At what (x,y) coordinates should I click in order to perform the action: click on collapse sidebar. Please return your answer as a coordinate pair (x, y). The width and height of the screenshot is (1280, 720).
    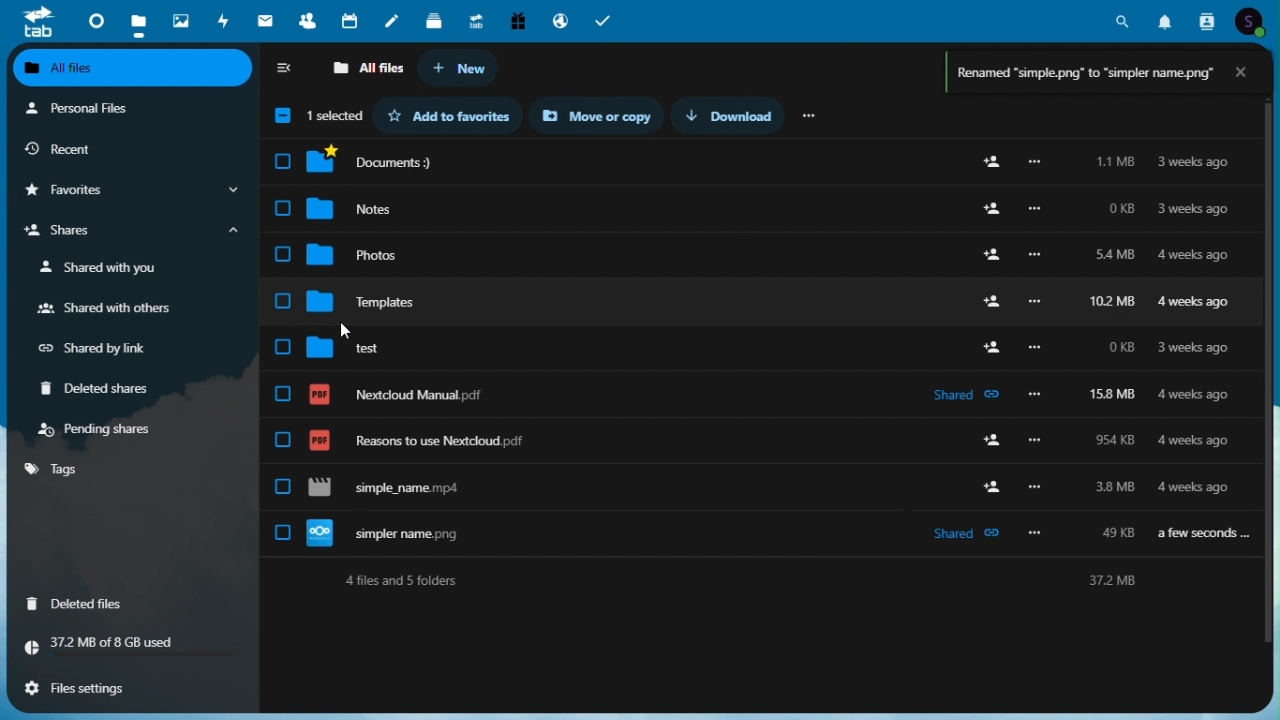
    Looking at the image, I should click on (286, 70).